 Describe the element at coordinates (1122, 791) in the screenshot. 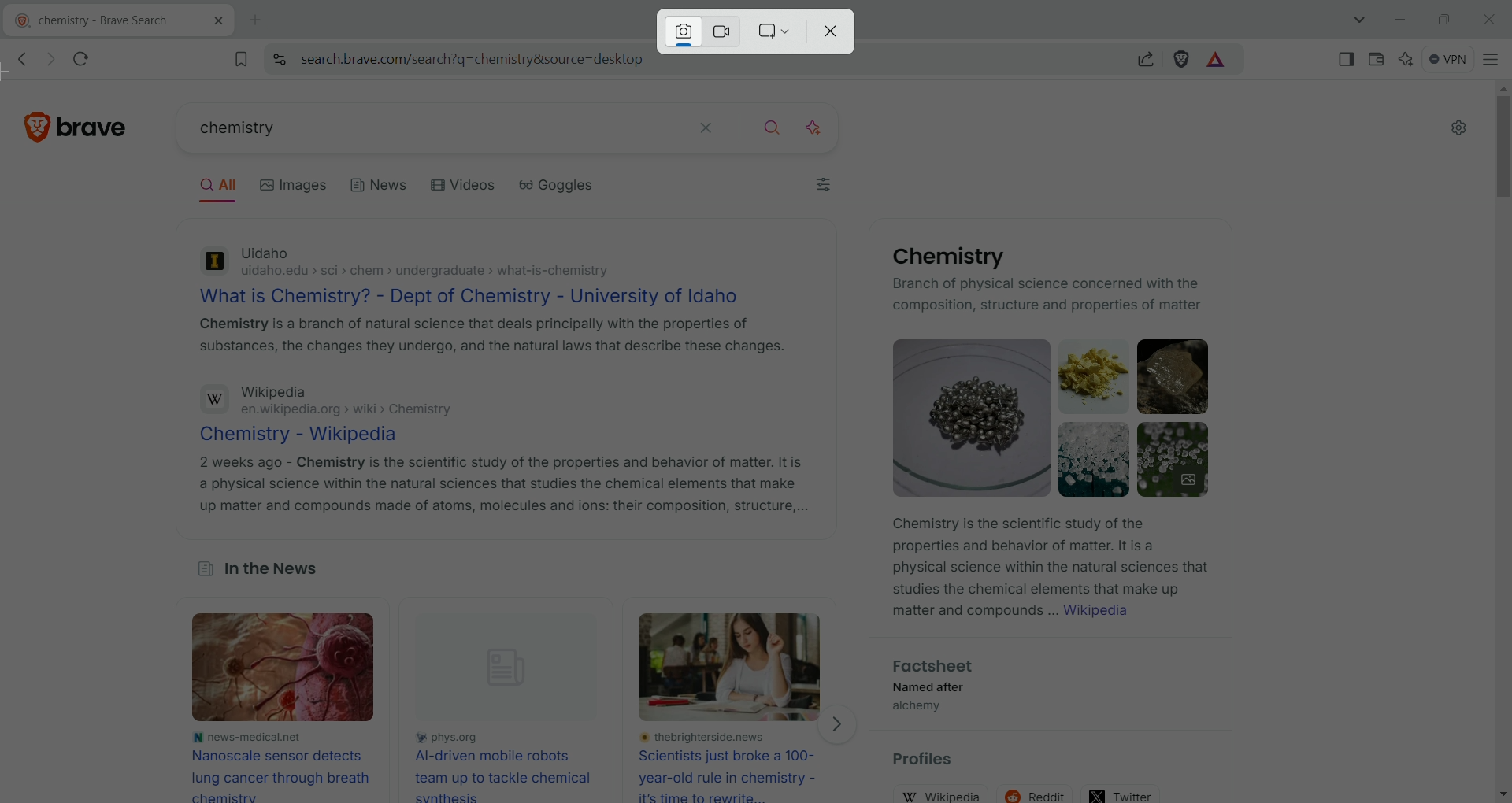

I see `twitter` at that location.